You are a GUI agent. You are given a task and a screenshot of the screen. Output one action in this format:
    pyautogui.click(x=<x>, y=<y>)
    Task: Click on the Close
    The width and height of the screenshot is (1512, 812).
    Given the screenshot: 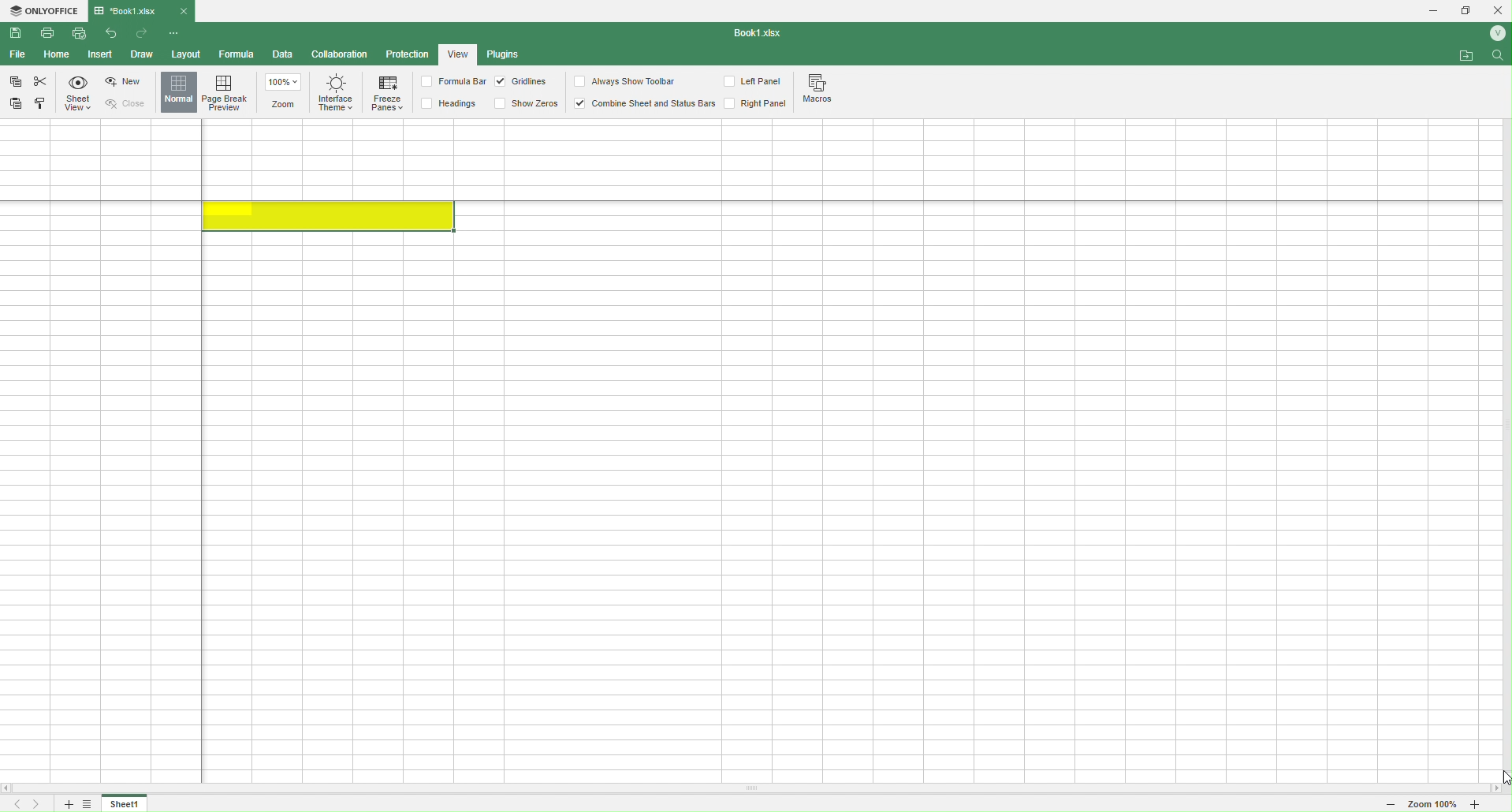 What is the action you would take?
    pyautogui.click(x=184, y=10)
    